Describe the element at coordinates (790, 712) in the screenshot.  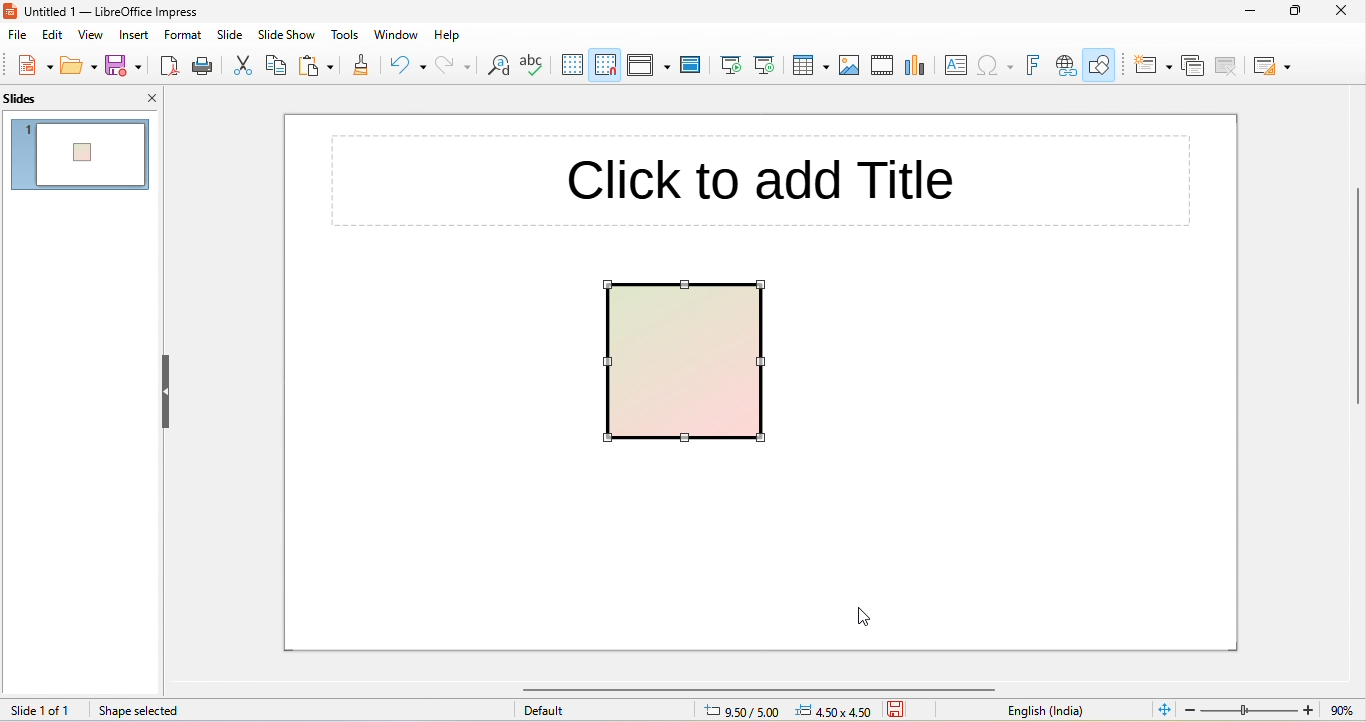
I see `cursor position ` at that location.